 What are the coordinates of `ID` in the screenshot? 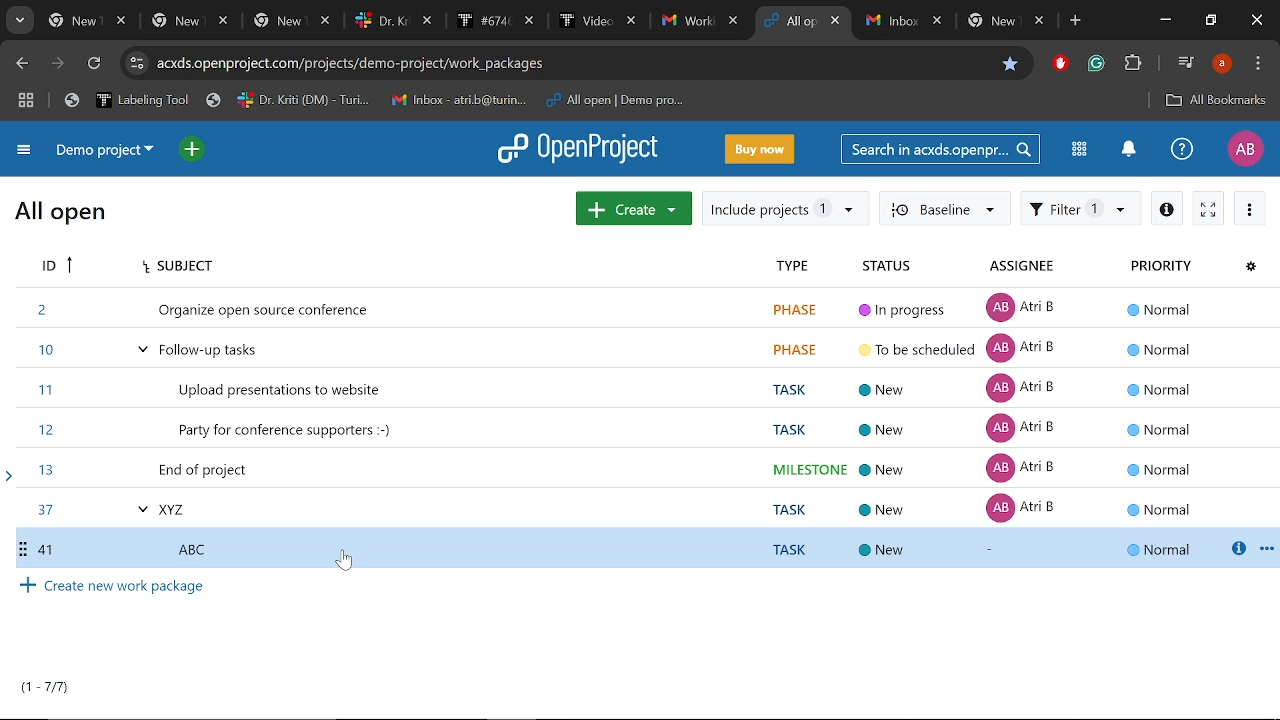 It's located at (54, 266).